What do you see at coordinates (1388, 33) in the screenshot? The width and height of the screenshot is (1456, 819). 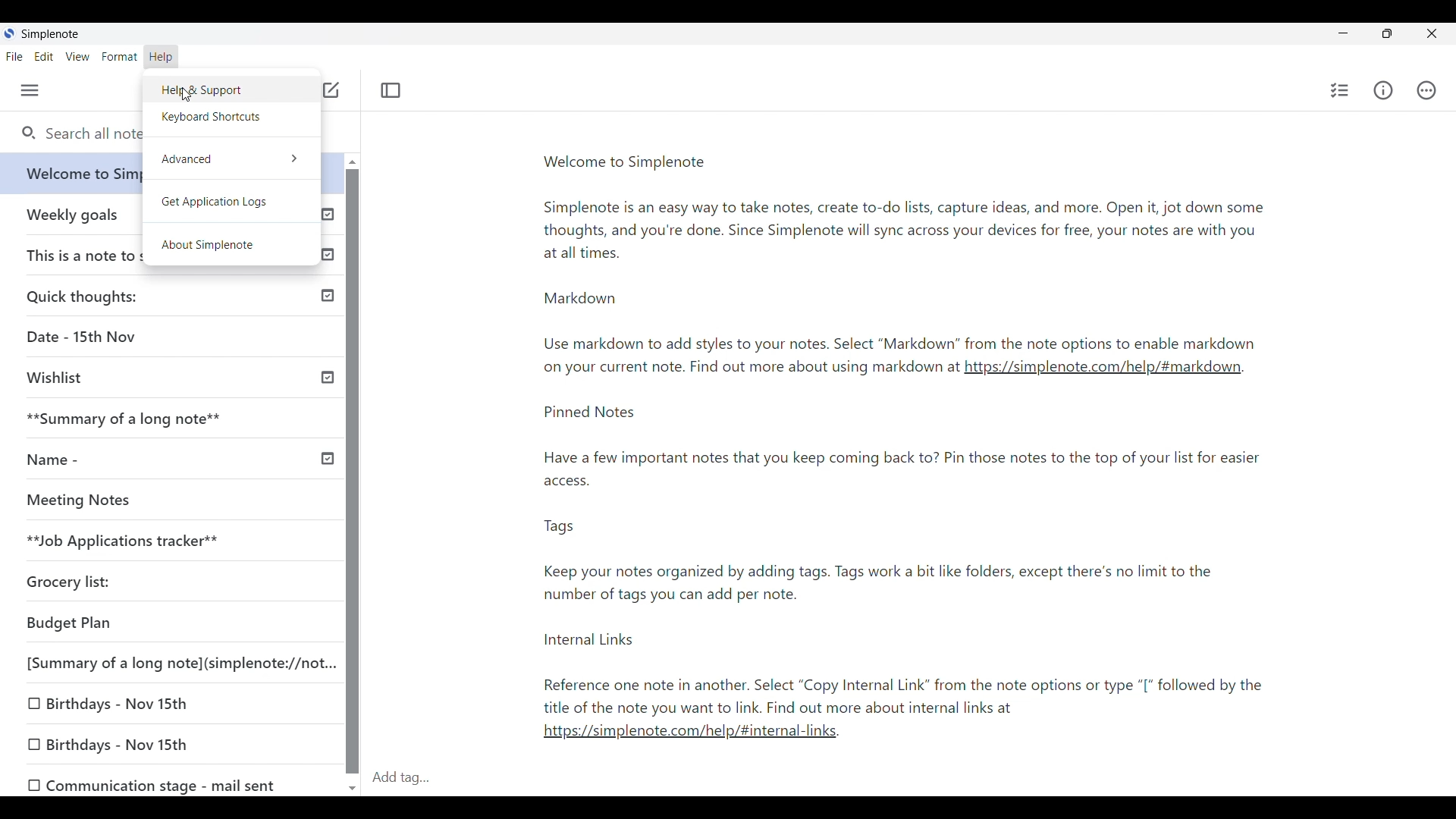 I see `Show interface in a smaller tab` at bounding box center [1388, 33].